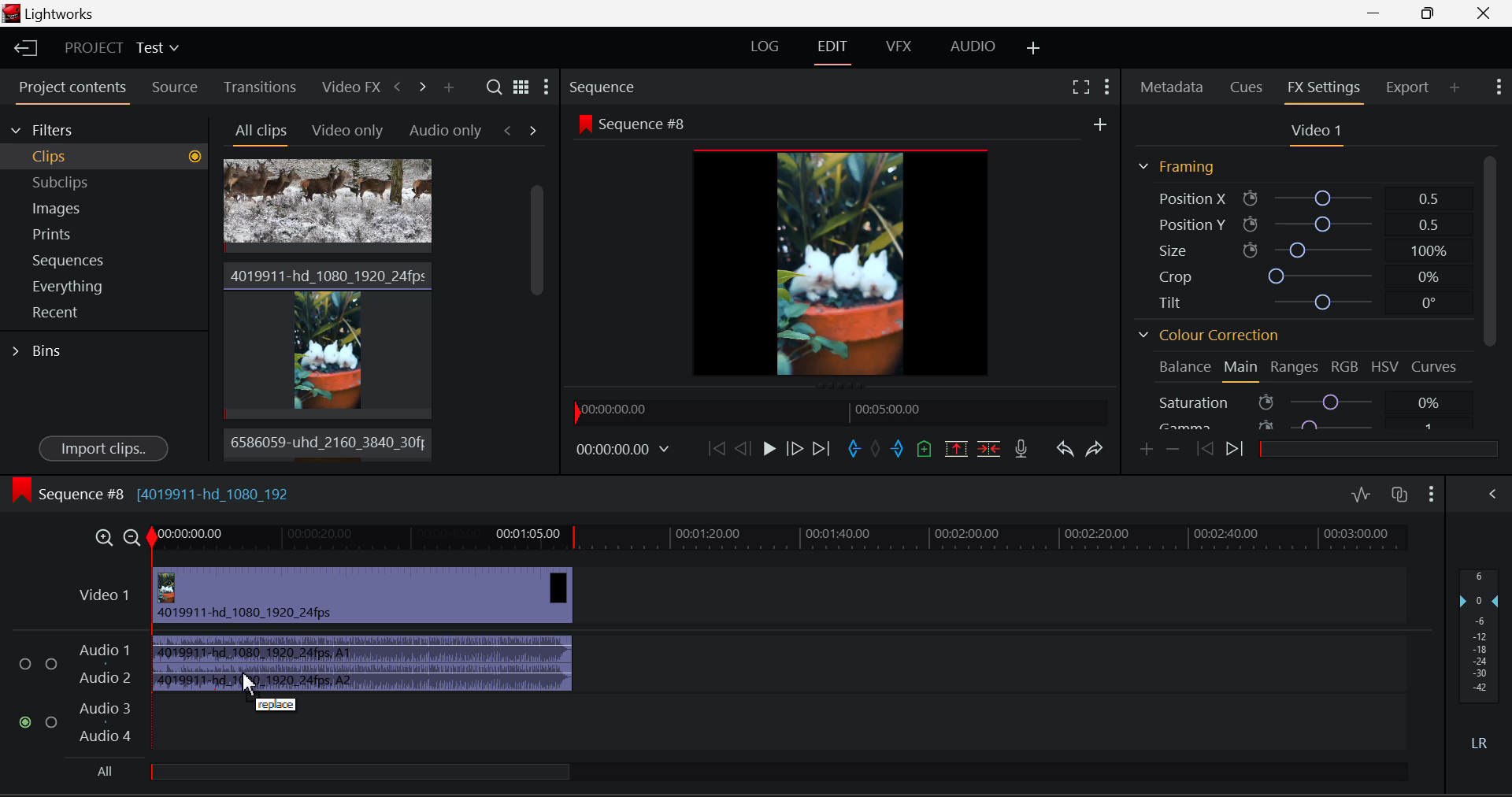  What do you see at coordinates (22, 46) in the screenshot?
I see `Back to Homepage` at bounding box center [22, 46].